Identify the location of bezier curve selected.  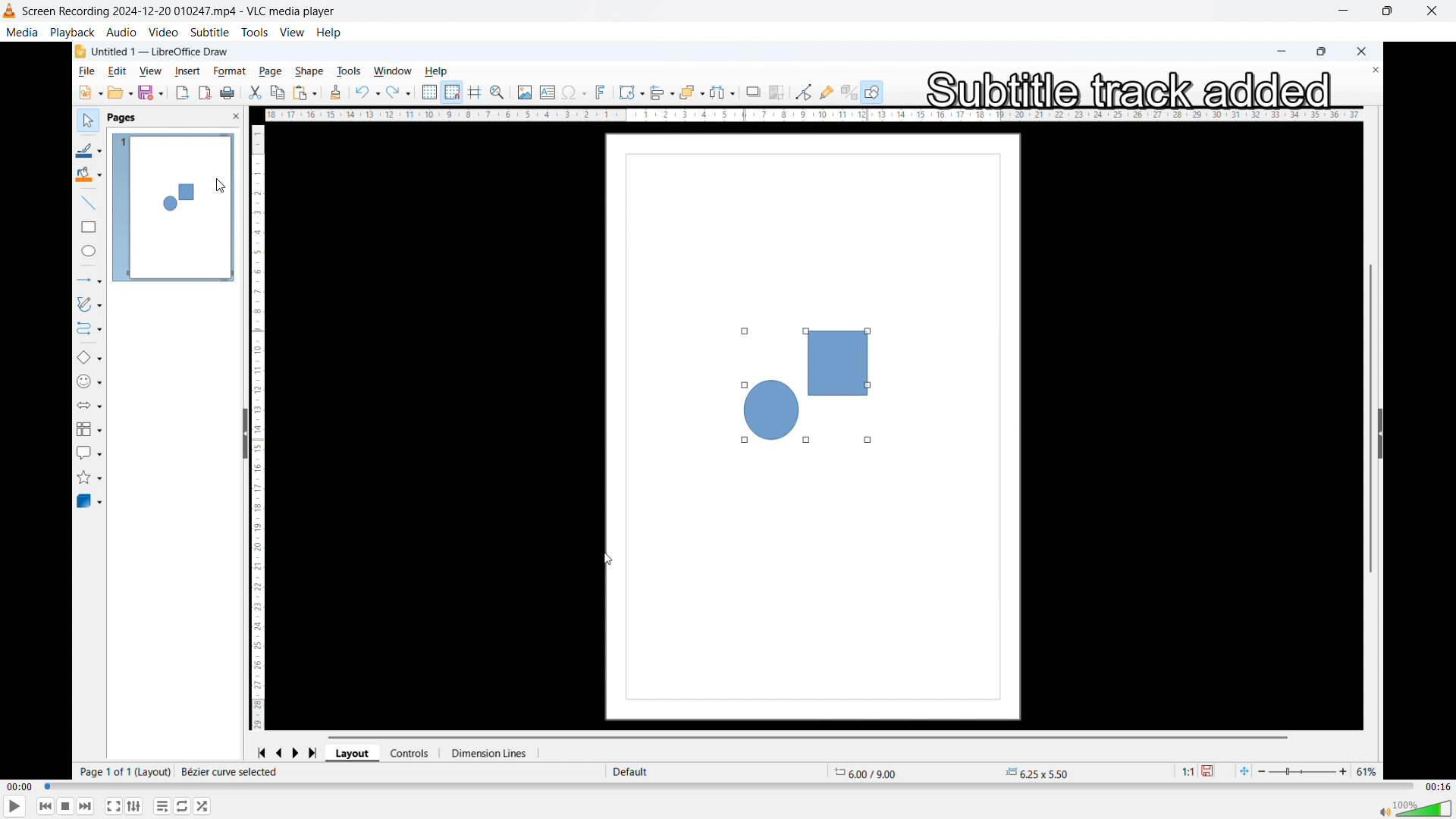
(230, 772).